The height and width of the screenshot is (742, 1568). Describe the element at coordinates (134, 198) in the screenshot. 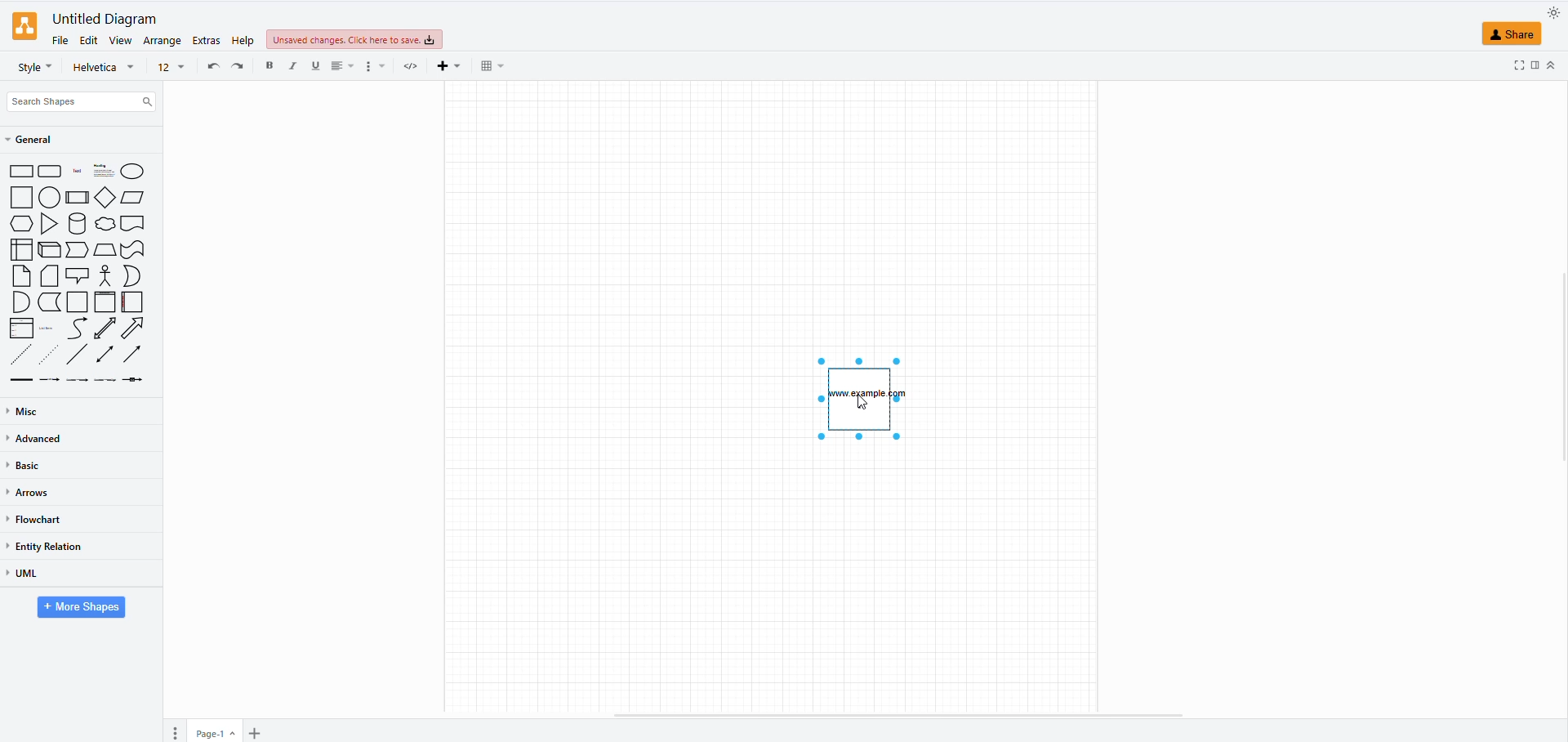

I see `parellelogram` at that location.